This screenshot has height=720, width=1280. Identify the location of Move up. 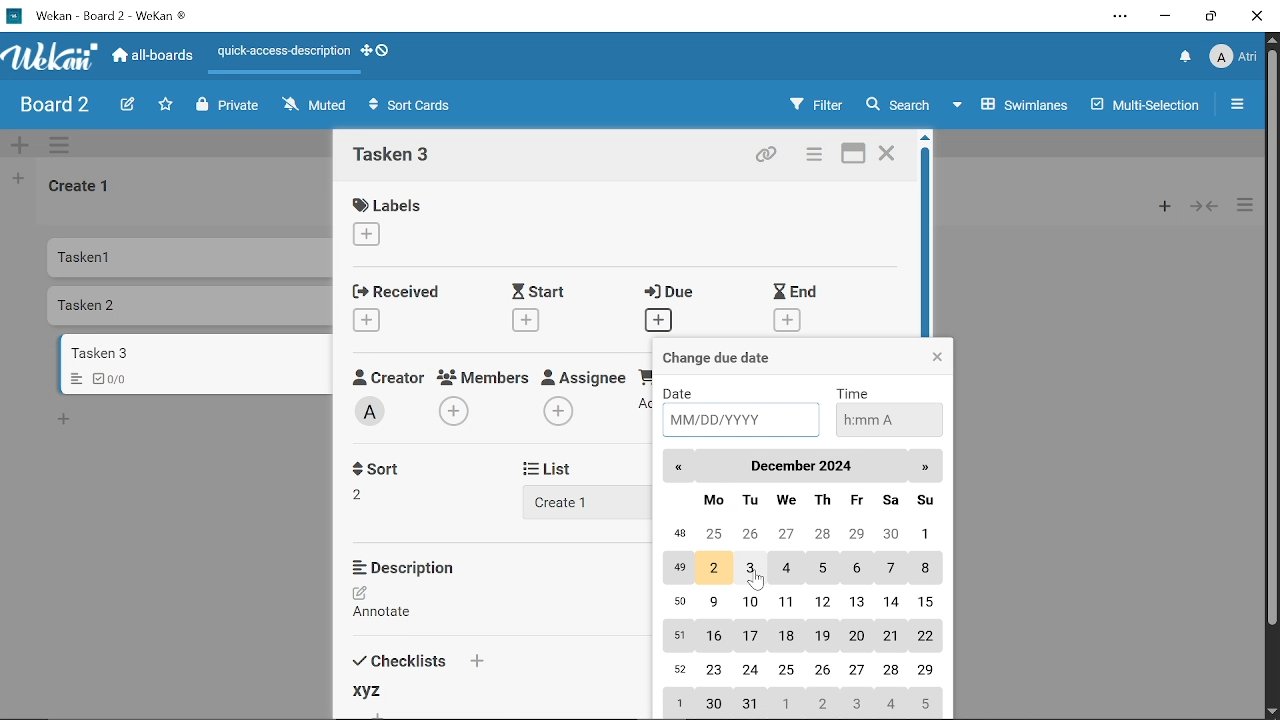
(1272, 40).